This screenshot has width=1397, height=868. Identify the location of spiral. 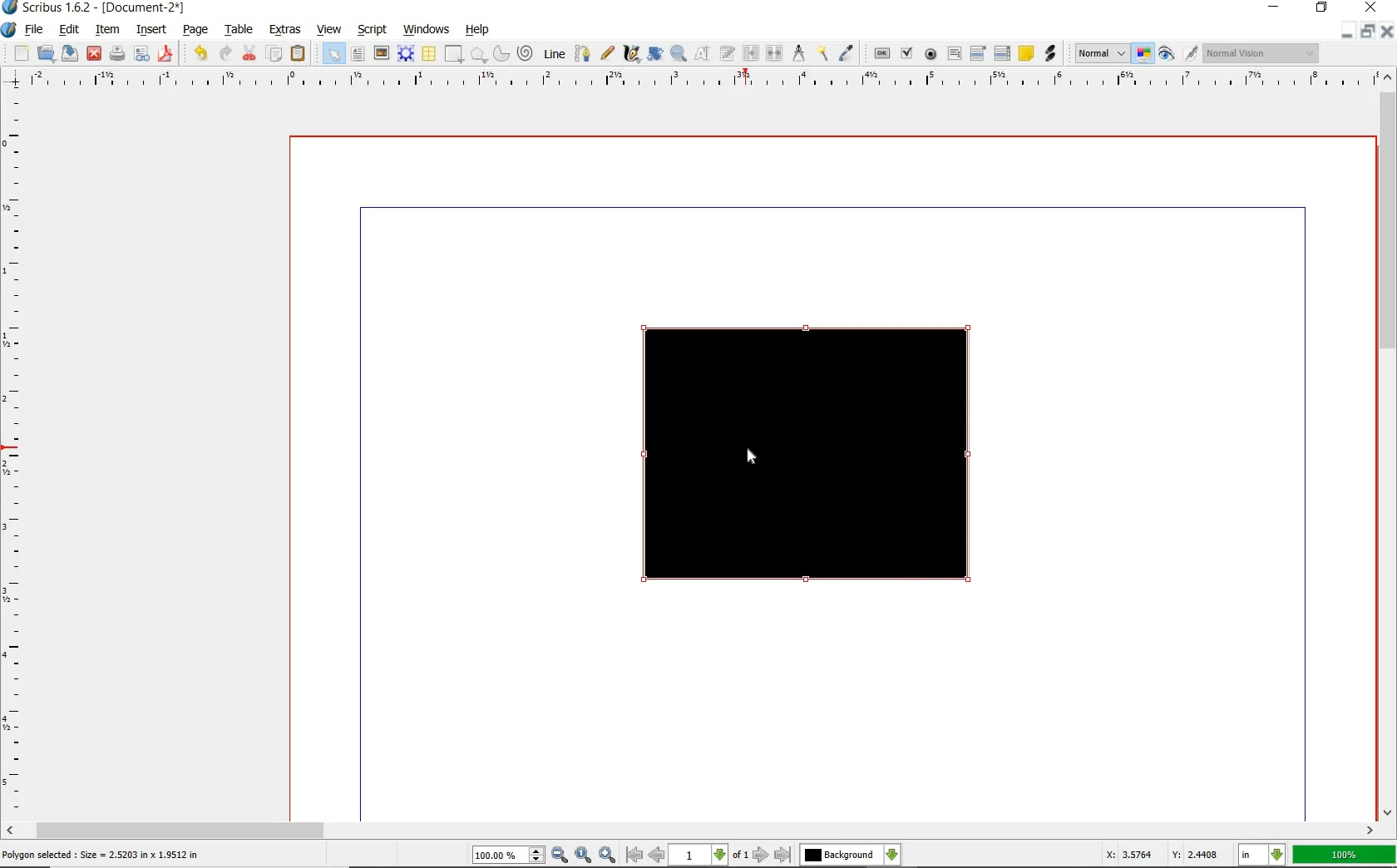
(527, 55).